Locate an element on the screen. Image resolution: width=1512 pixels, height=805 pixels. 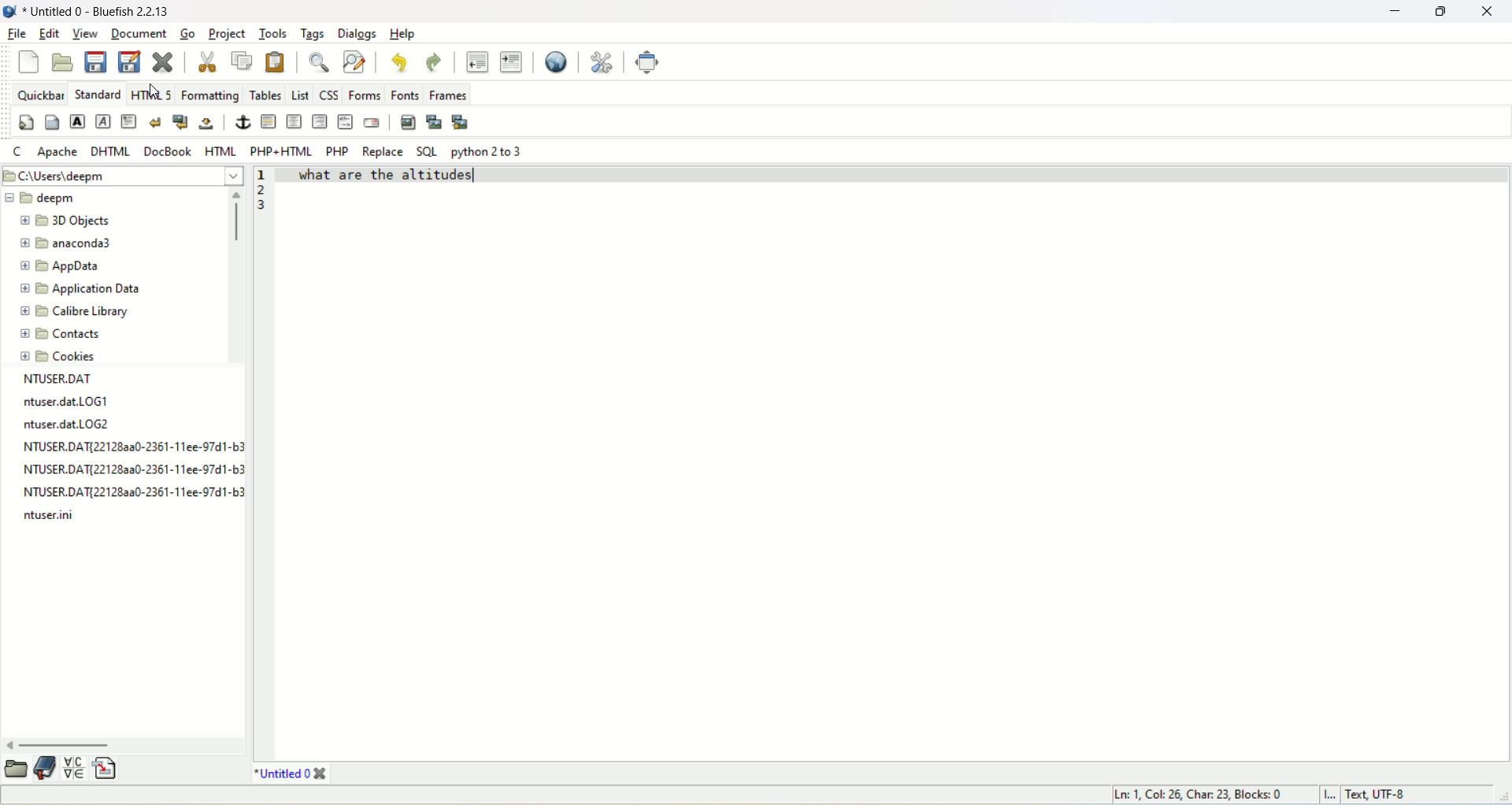
DHTML is located at coordinates (112, 150).